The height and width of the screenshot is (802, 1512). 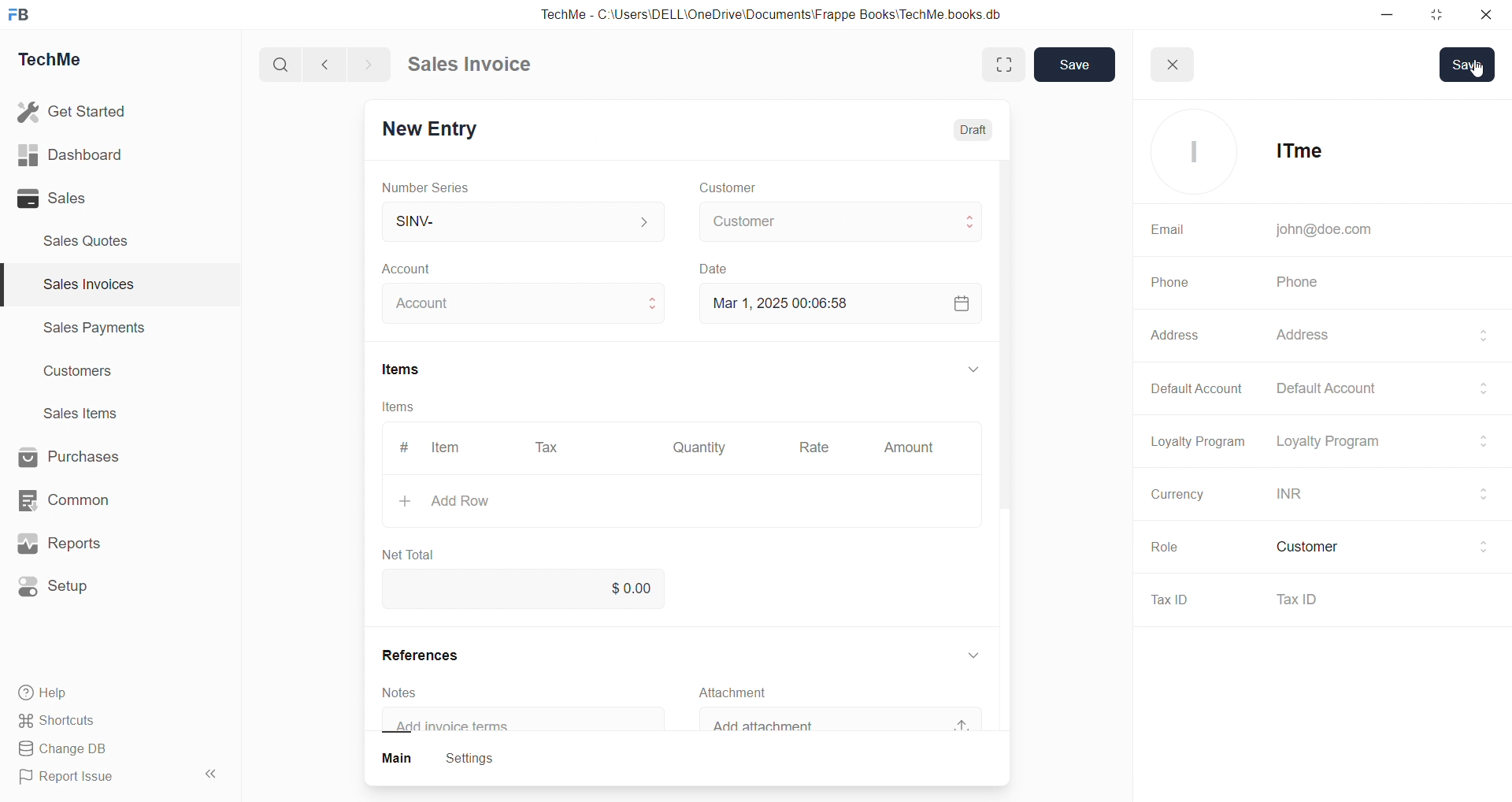 What do you see at coordinates (1374, 335) in the screenshot?
I see `Address` at bounding box center [1374, 335].